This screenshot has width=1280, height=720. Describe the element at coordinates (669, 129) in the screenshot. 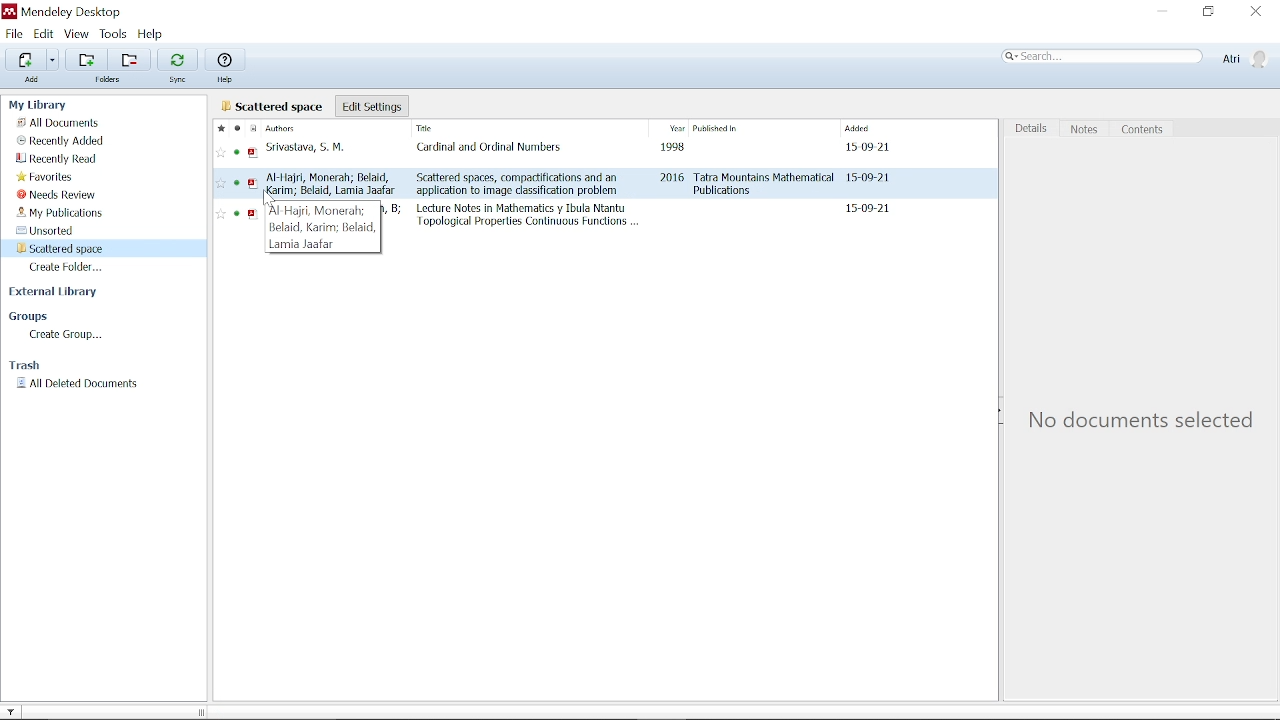

I see `Year` at that location.